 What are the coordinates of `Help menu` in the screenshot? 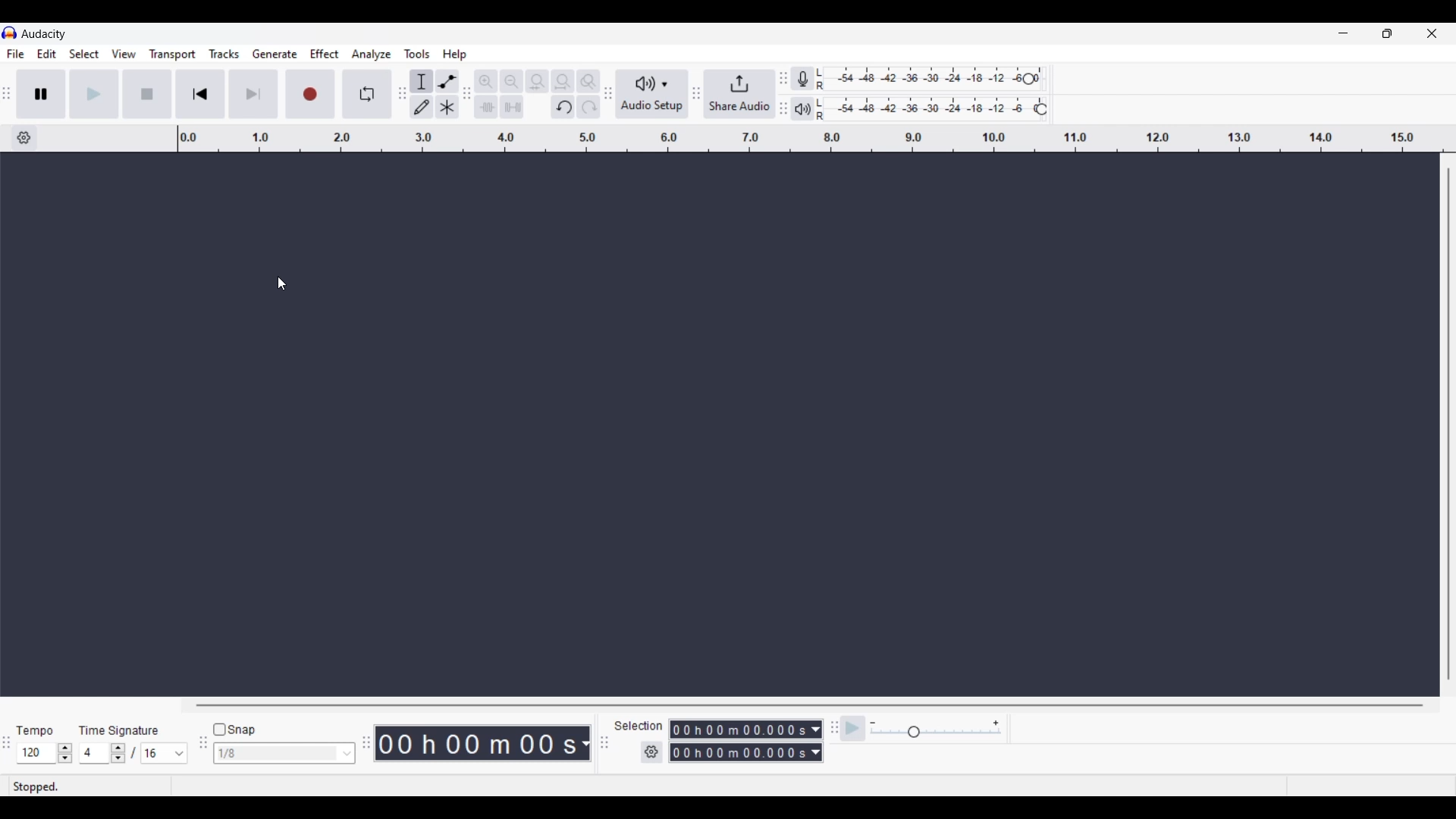 It's located at (454, 55).